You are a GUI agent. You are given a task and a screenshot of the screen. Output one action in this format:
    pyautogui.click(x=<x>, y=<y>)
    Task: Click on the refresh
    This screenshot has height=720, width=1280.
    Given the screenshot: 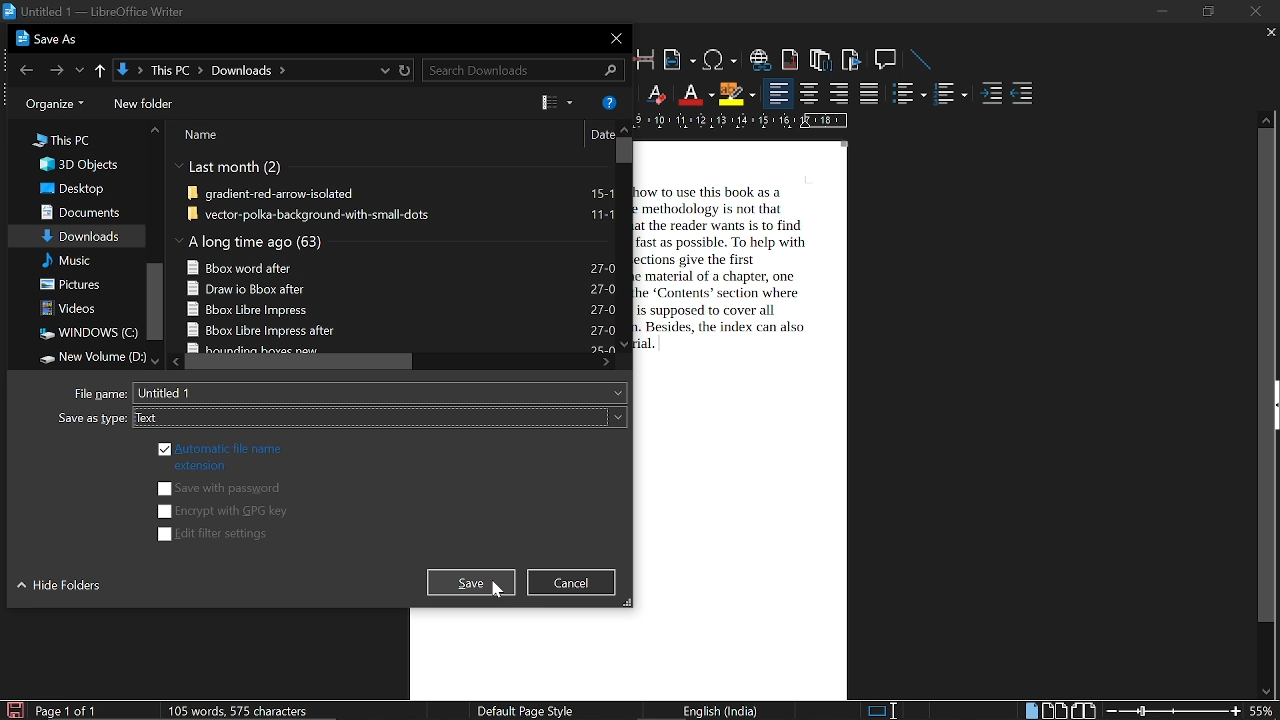 What is the action you would take?
    pyautogui.click(x=406, y=71)
    